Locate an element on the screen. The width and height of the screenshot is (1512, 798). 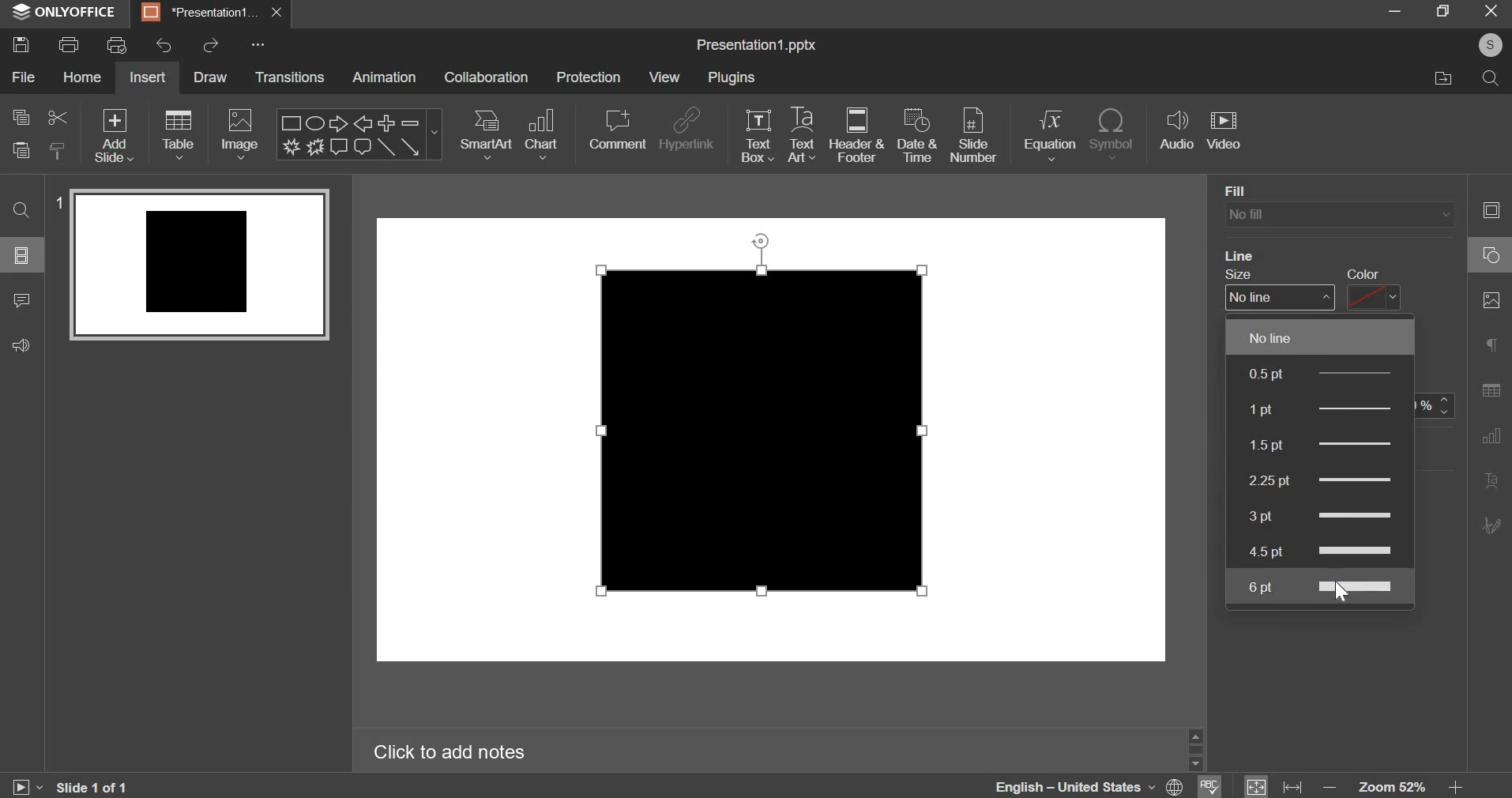
print preview is located at coordinates (115, 45).